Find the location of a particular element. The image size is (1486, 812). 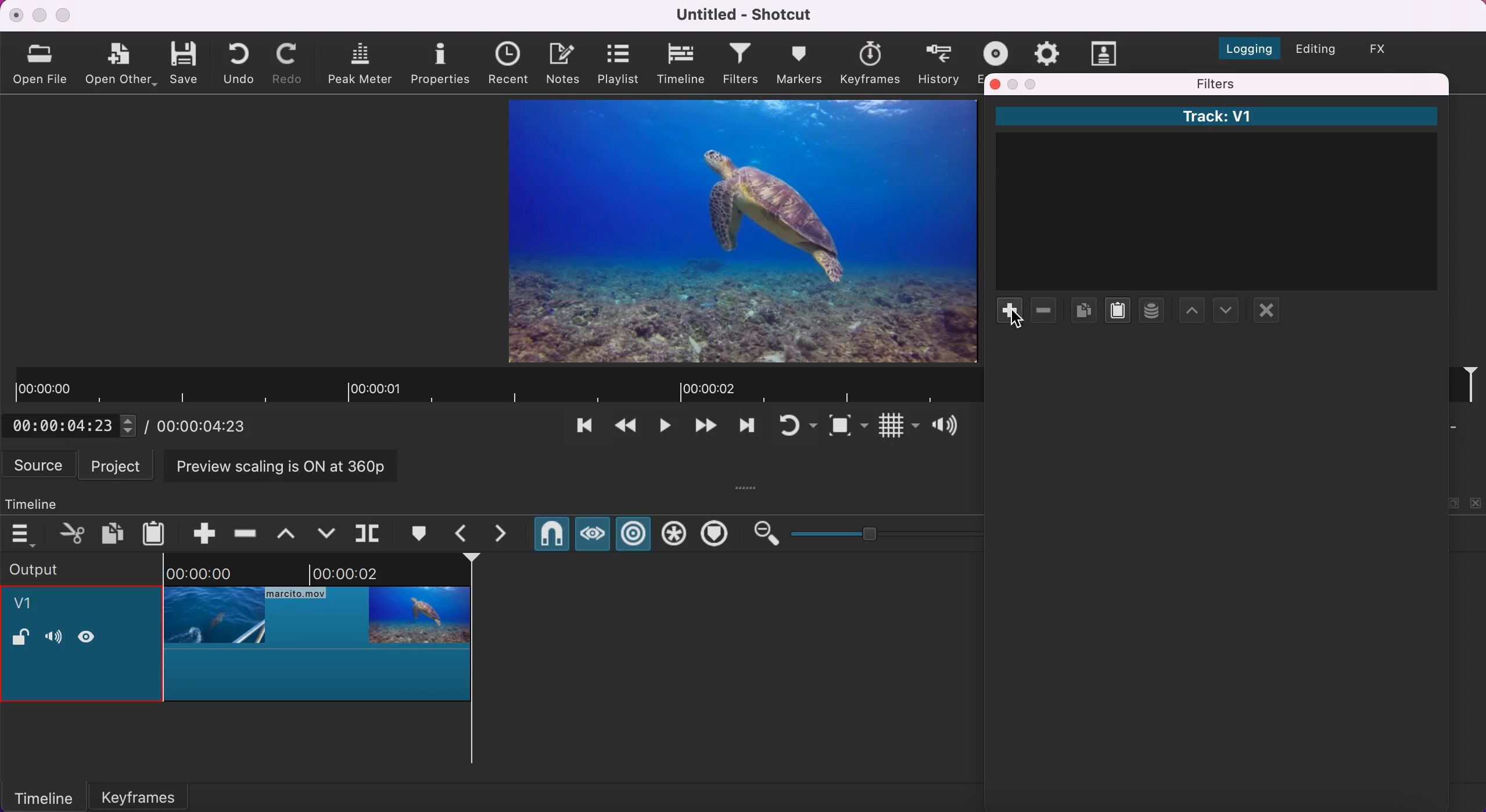

total duration is located at coordinates (208, 426).